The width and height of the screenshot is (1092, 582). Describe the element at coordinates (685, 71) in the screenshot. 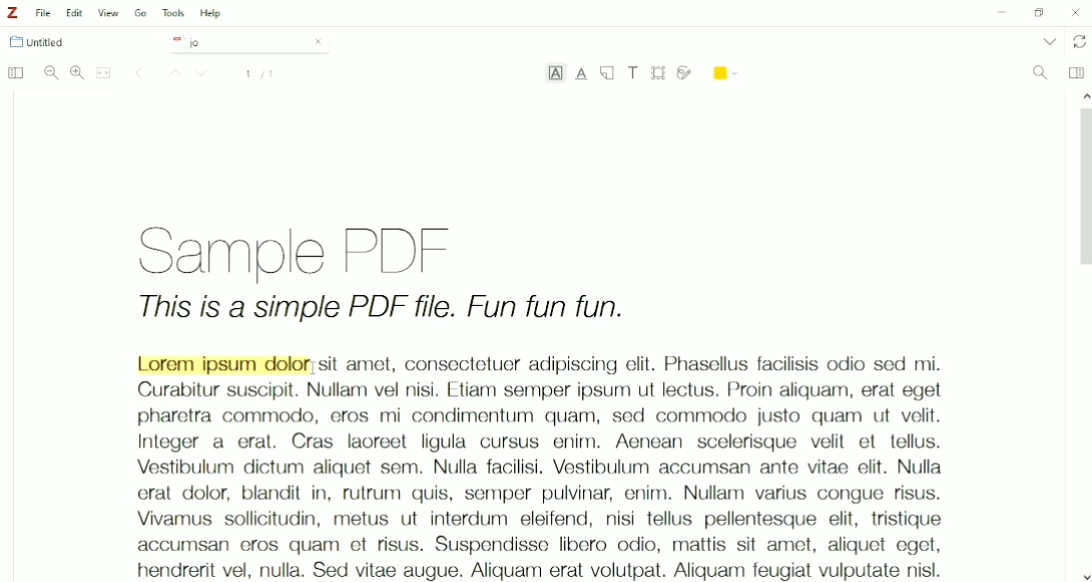

I see `Draw` at that location.